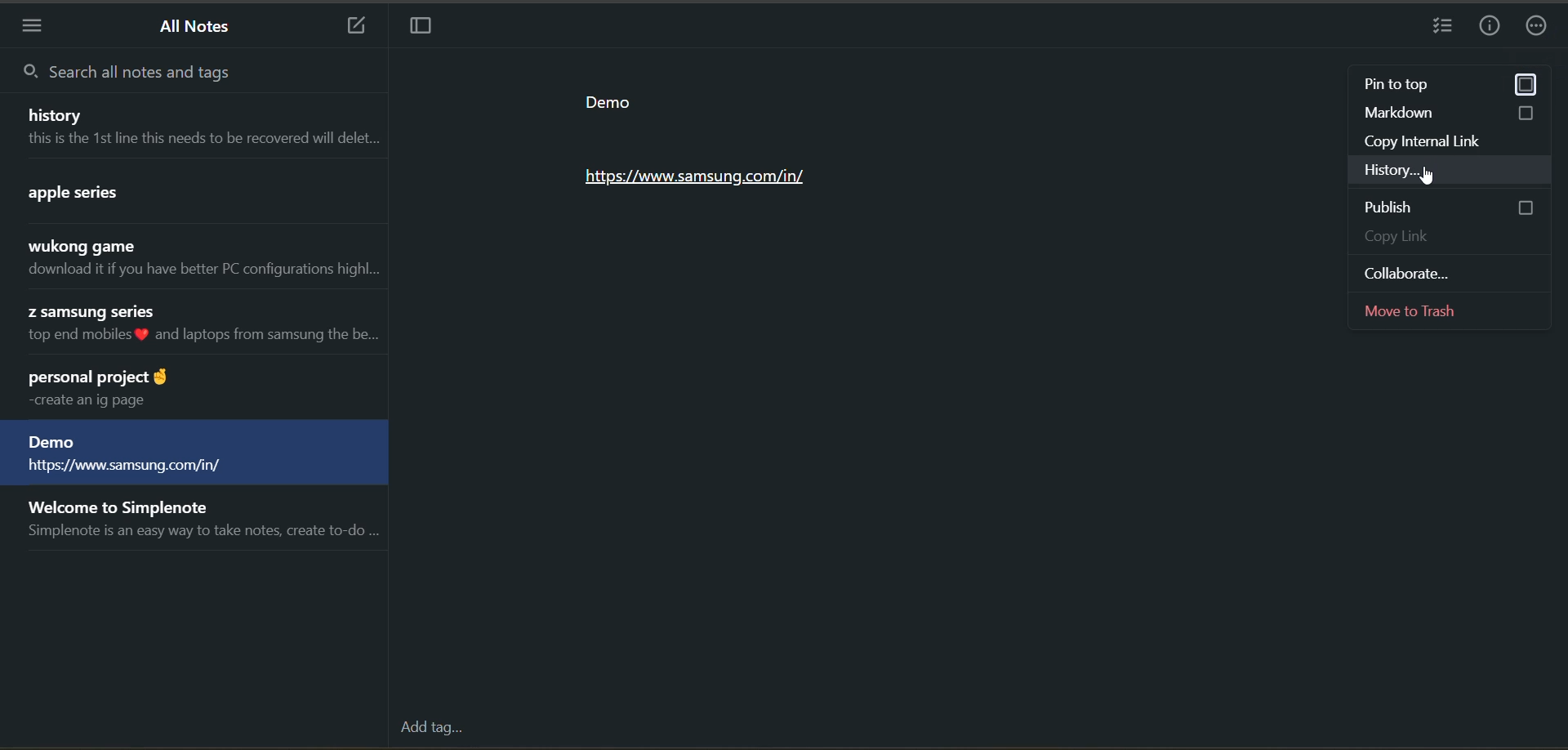 Image resolution: width=1568 pixels, height=750 pixels. What do you see at coordinates (1456, 141) in the screenshot?
I see `copy internal link` at bounding box center [1456, 141].